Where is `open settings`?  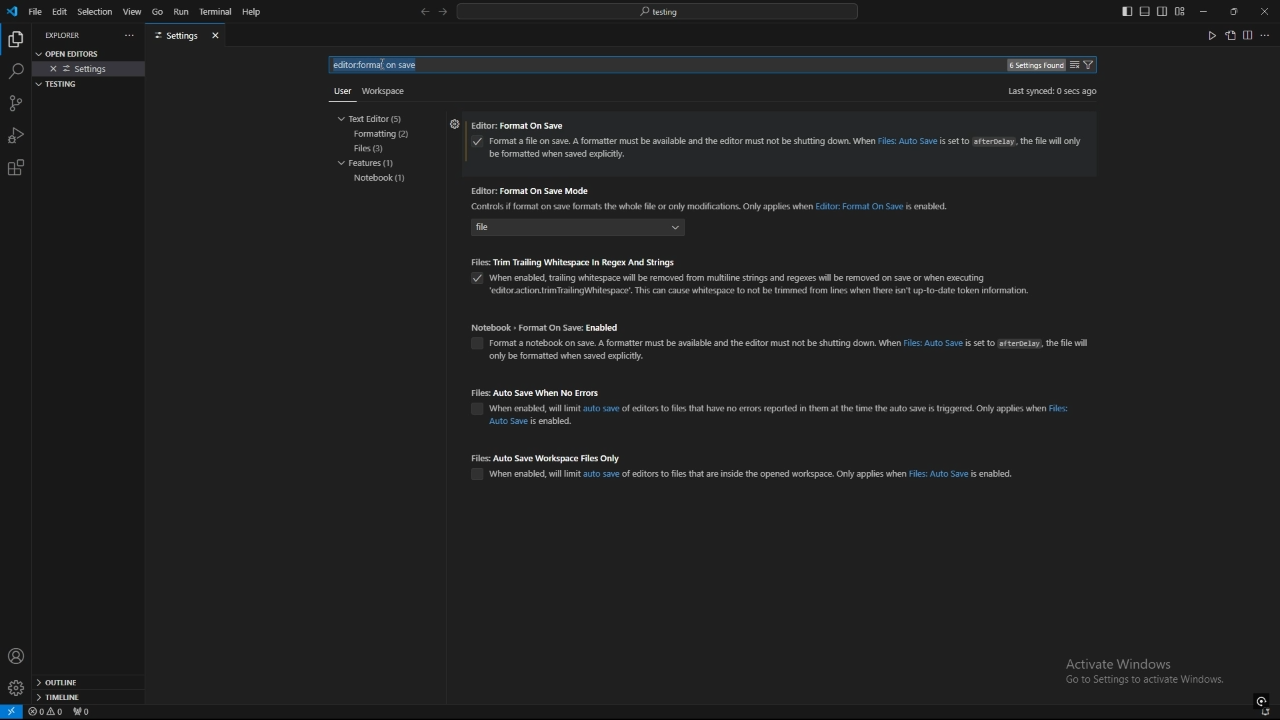
open settings is located at coordinates (74, 52).